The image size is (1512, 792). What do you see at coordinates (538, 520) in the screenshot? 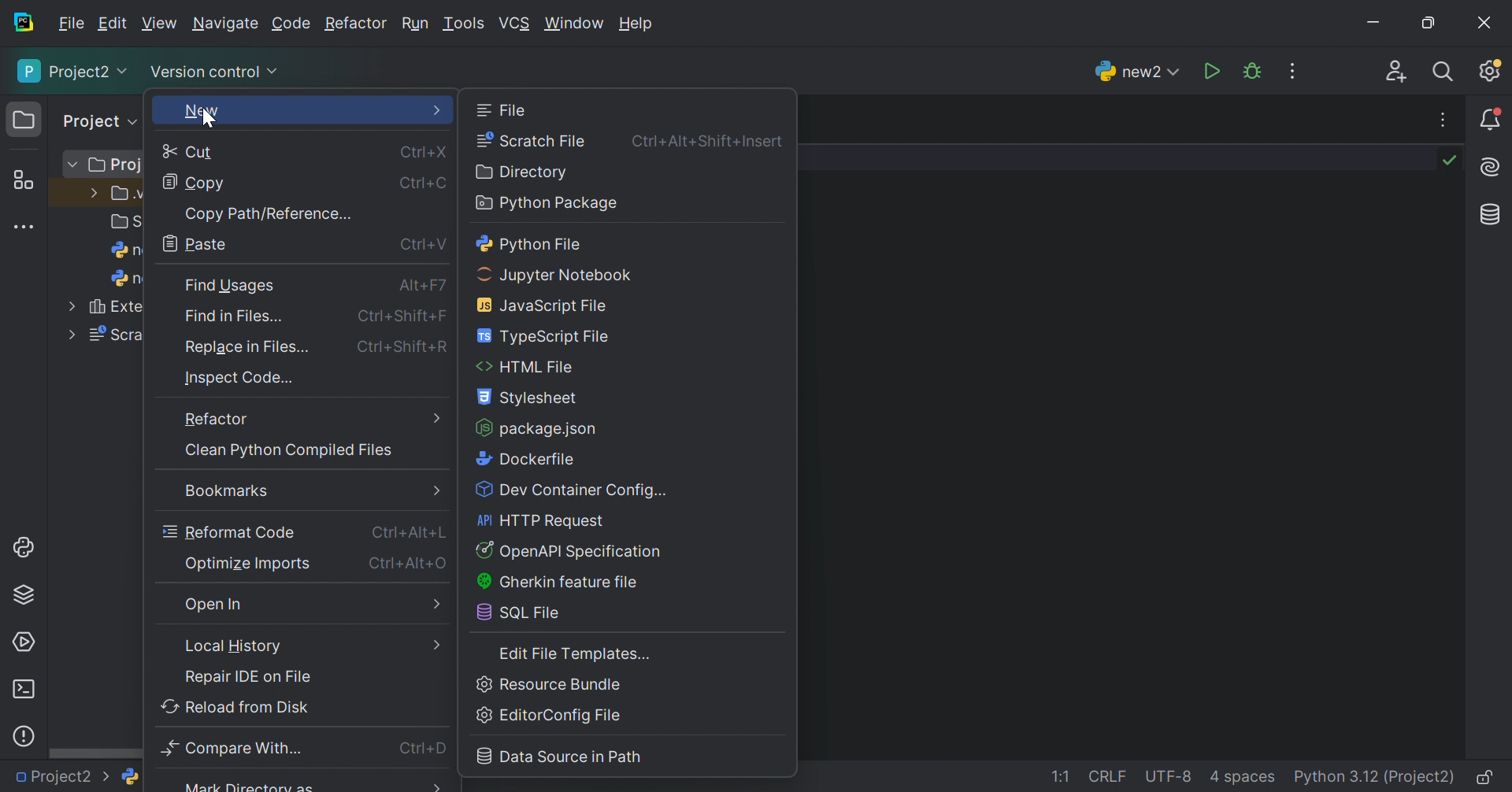
I see `HTTP Request` at bounding box center [538, 520].